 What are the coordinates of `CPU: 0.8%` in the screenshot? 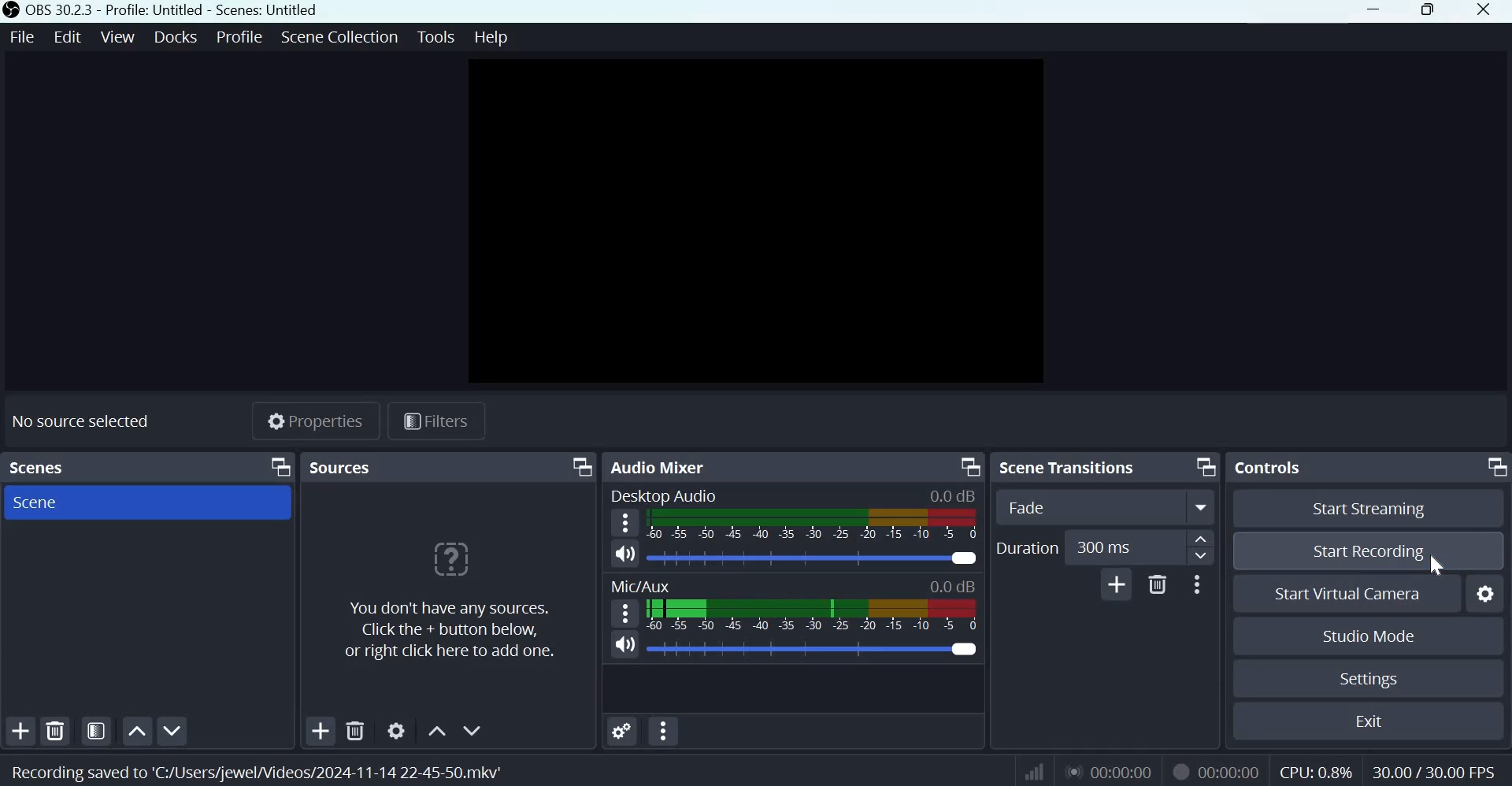 It's located at (1317, 770).